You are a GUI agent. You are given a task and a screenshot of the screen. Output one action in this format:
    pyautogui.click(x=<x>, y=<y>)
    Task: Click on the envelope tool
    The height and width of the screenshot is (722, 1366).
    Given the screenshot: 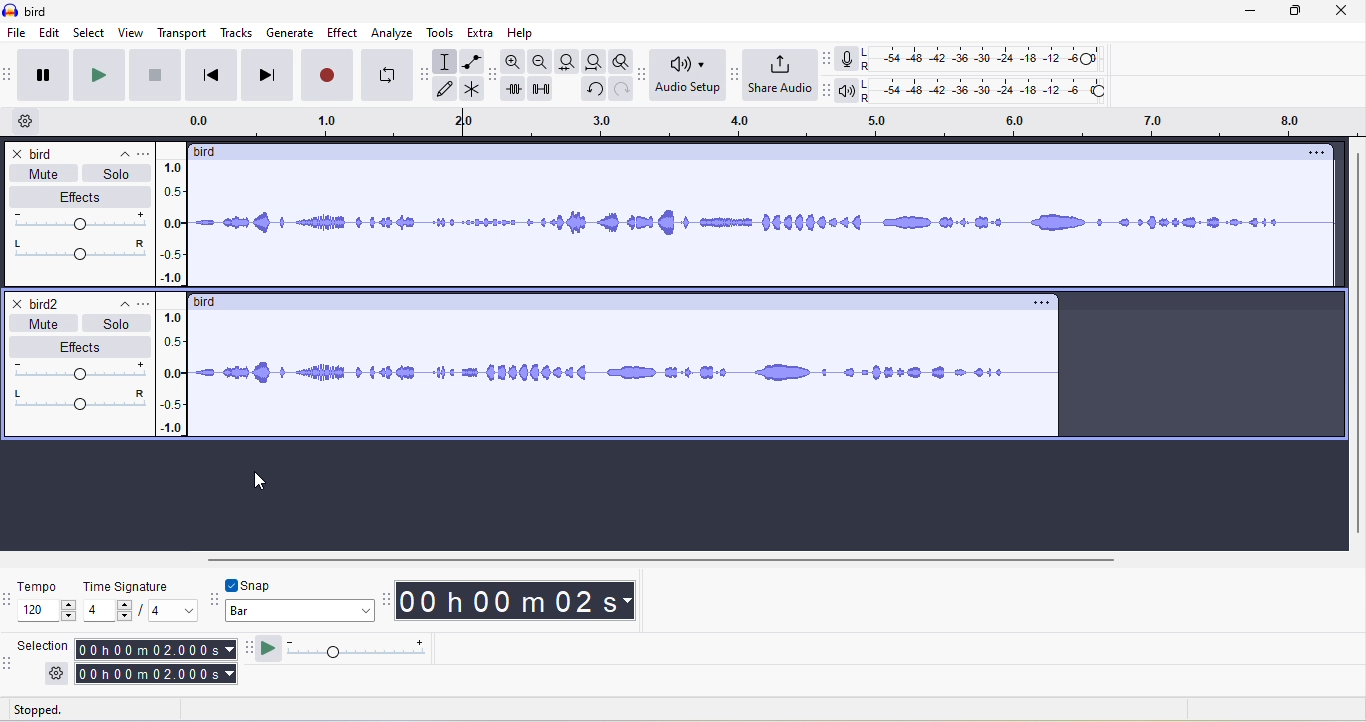 What is the action you would take?
    pyautogui.click(x=472, y=63)
    